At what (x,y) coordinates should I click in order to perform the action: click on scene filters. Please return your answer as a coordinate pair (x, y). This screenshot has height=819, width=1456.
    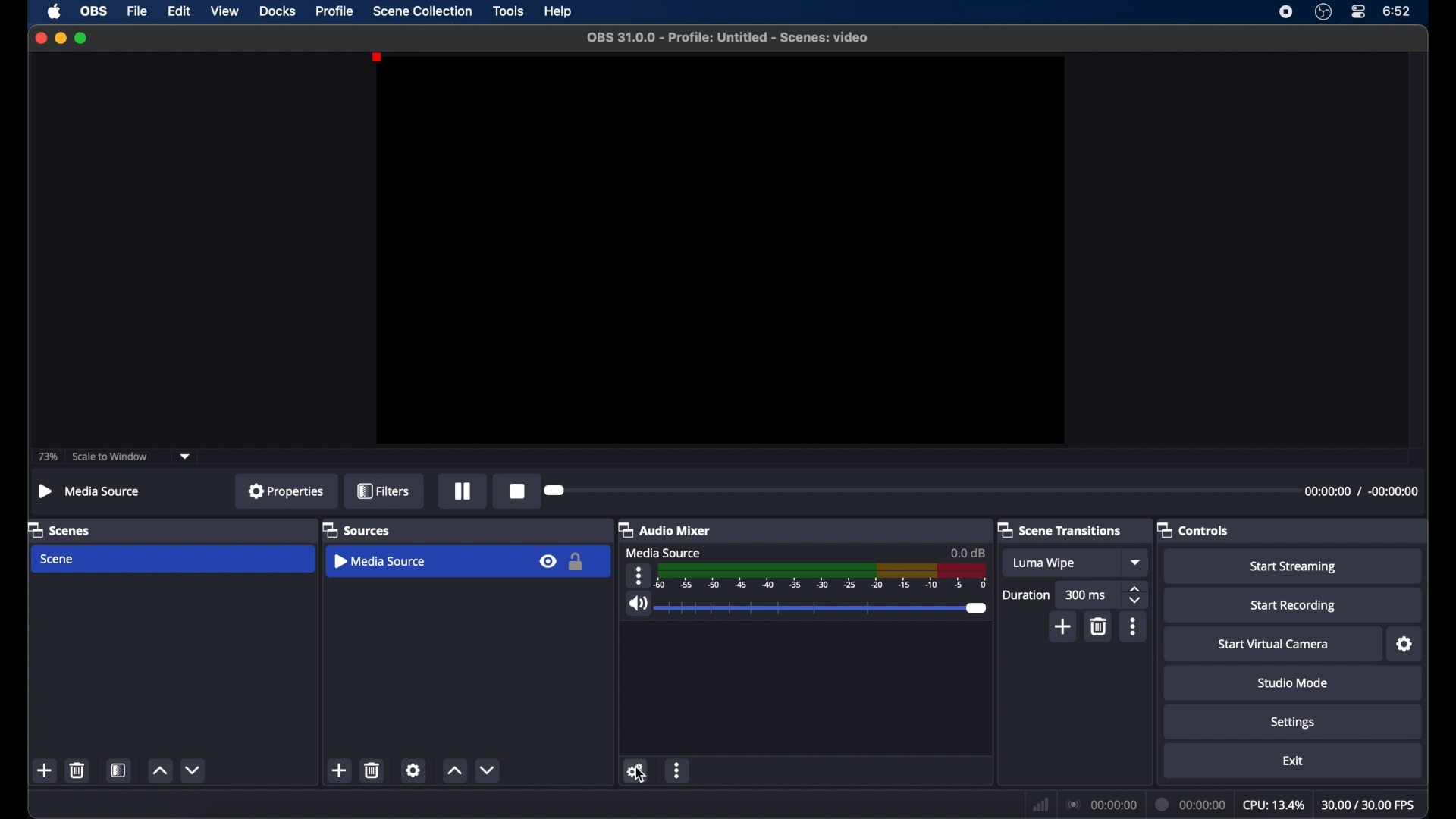
    Looking at the image, I should click on (120, 770).